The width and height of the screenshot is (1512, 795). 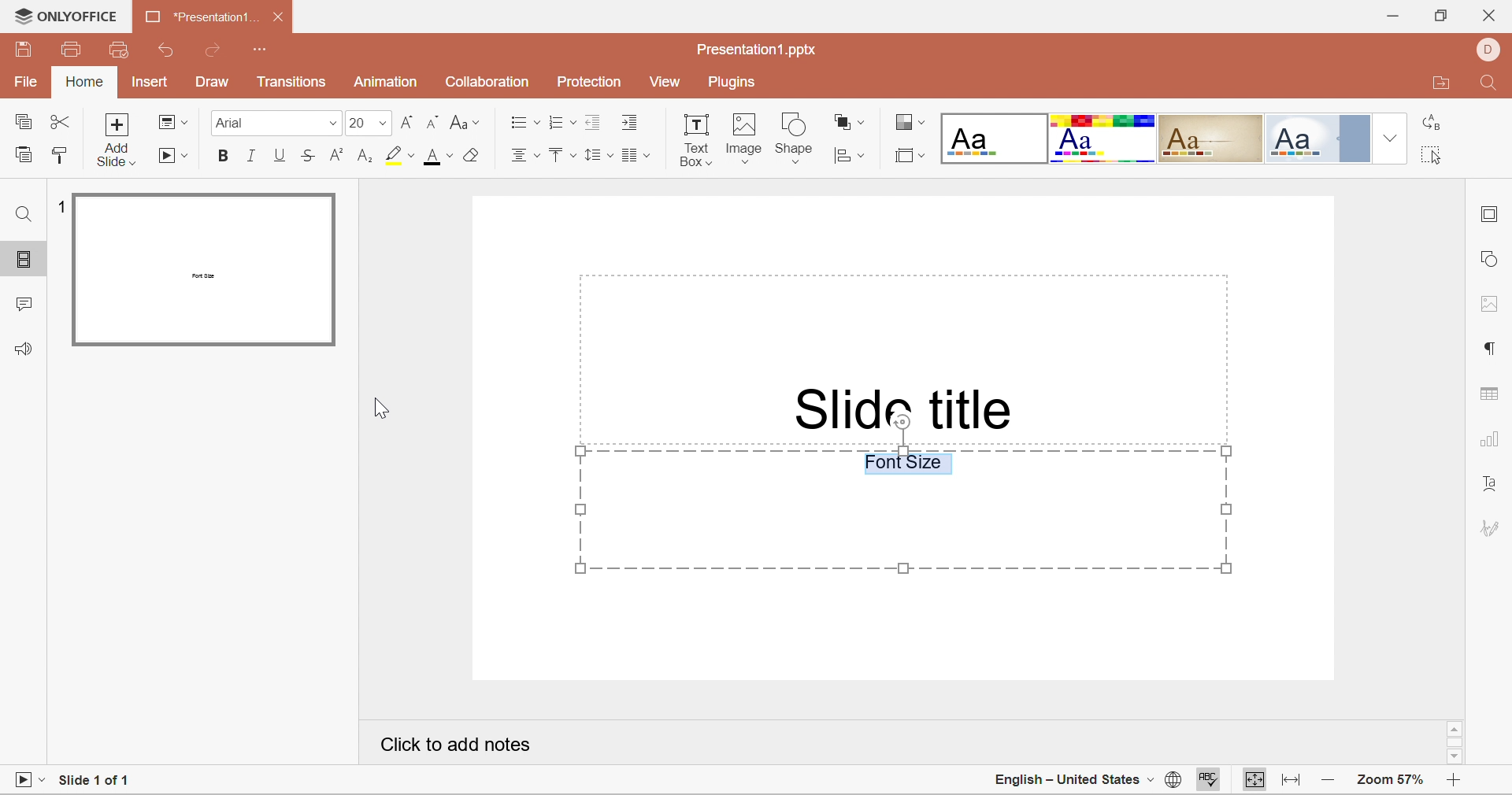 I want to click on Start slideshow, so click(x=174, y=158).